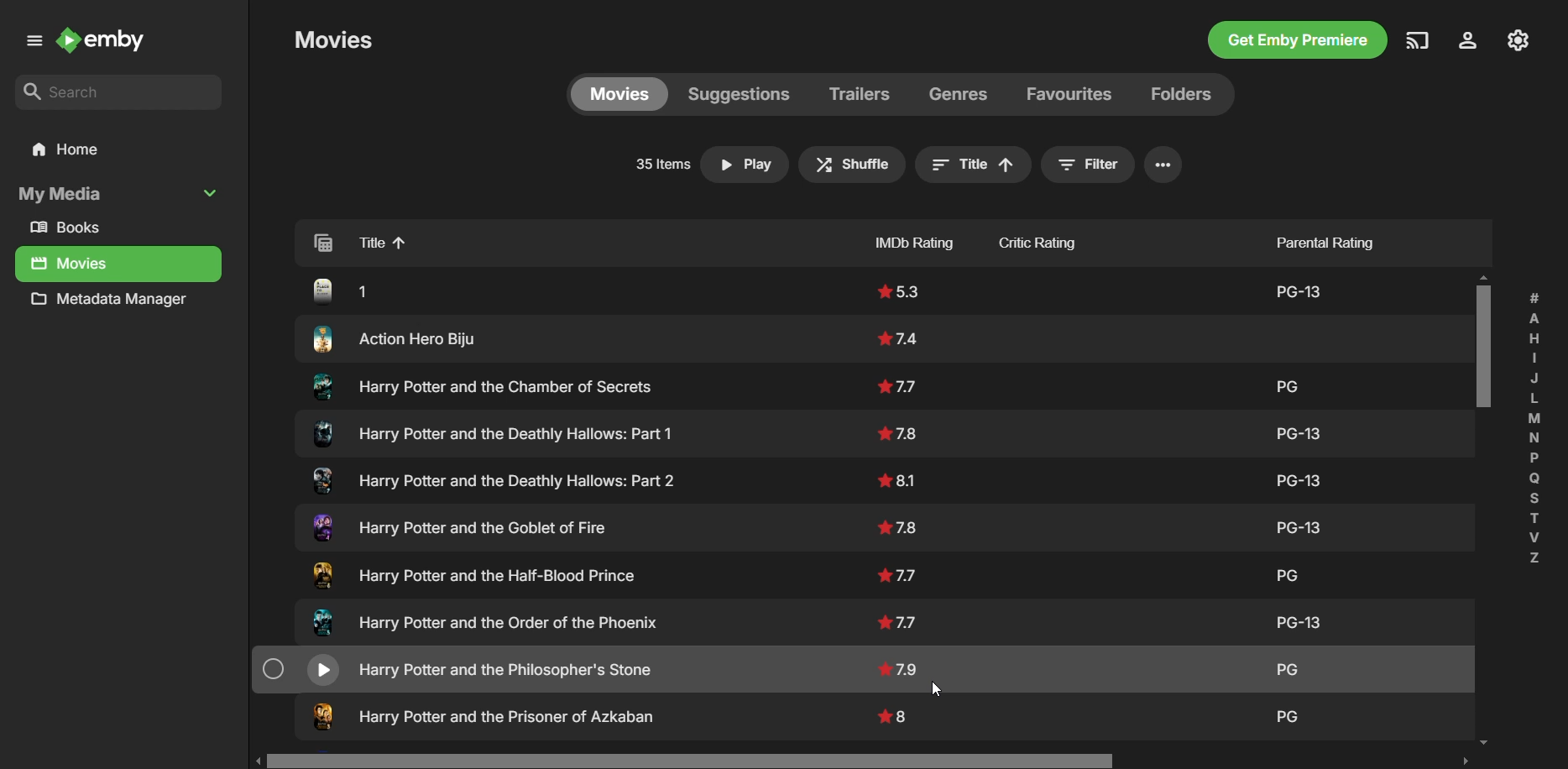 The height and width of the screenshot is (769, 1568). Describe the element at coordinates (901, 383) in the screenshot. I see `` at that location.